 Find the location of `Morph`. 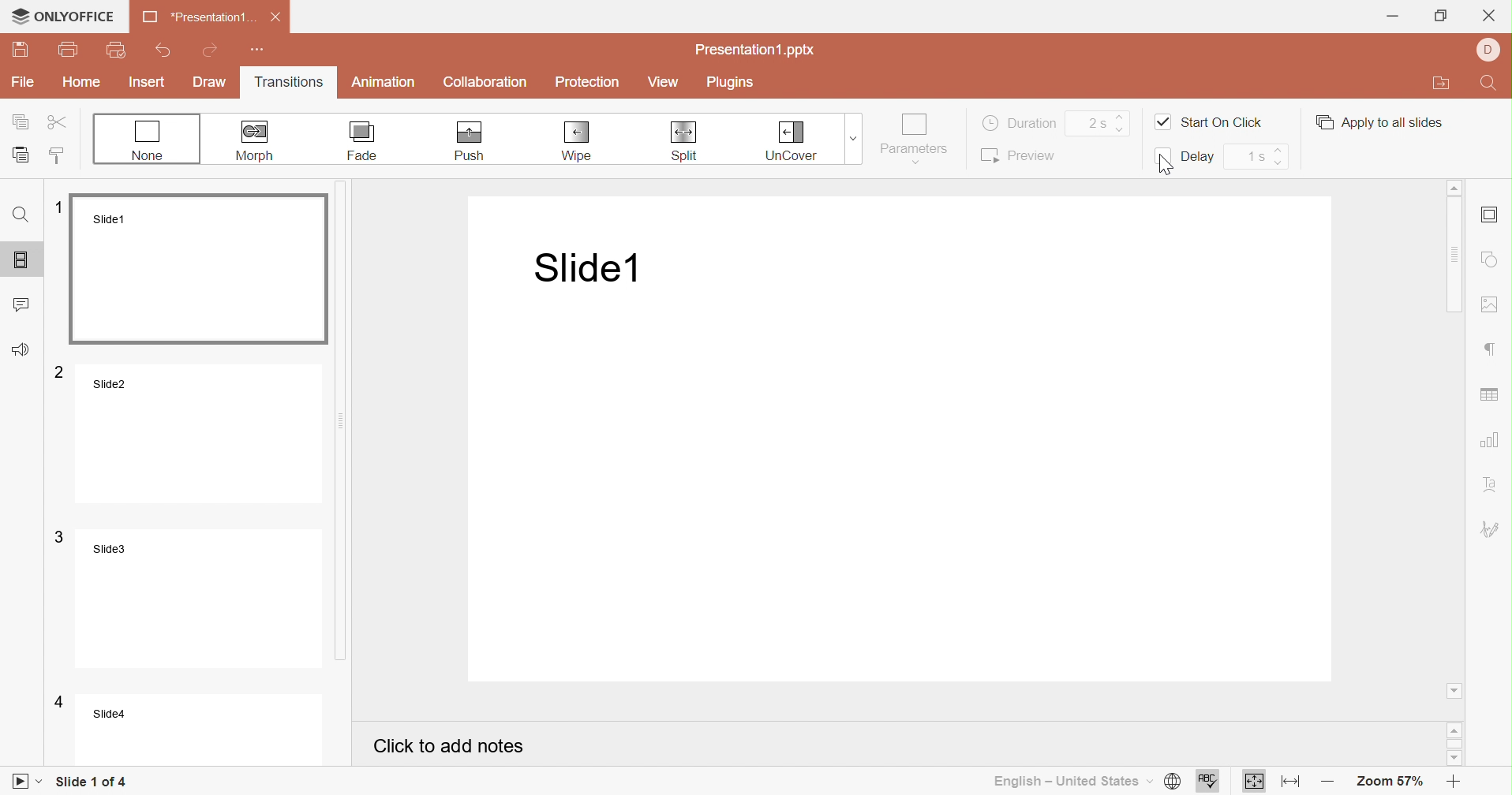

Morph is located at coordinates (253, 140).